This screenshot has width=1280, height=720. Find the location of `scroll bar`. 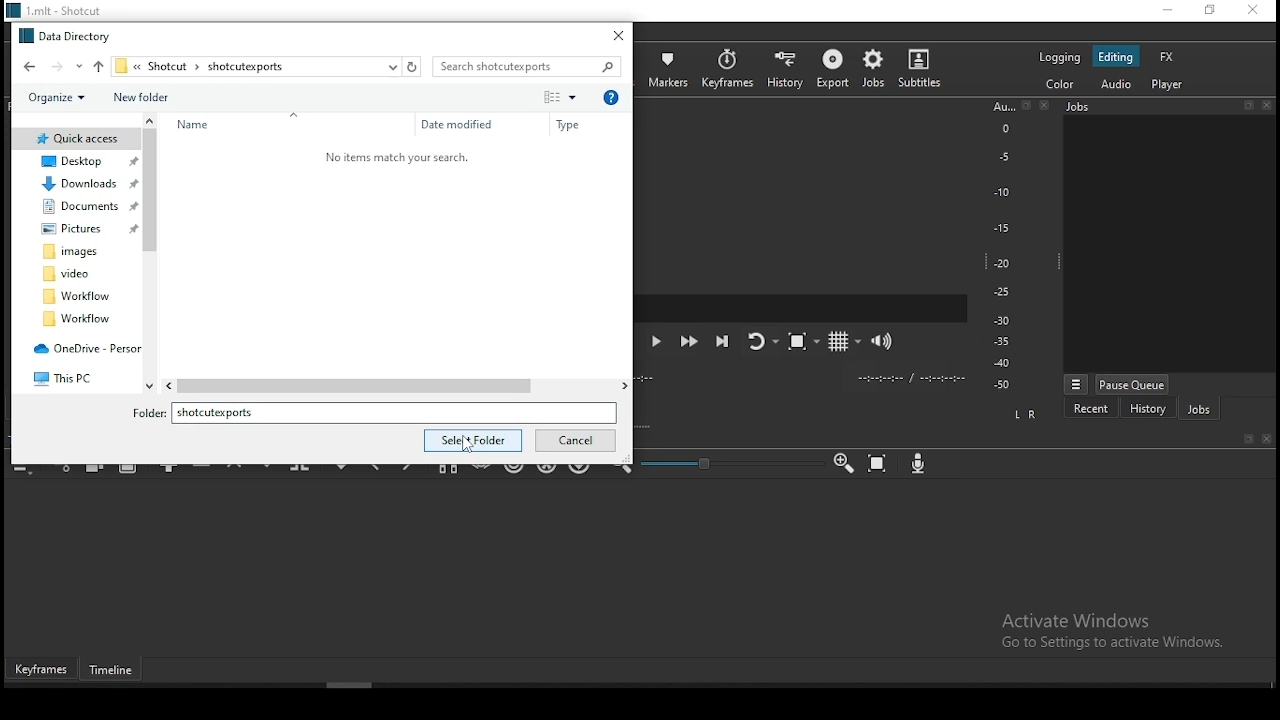

scroll bar is located at coordinates (151, 256).